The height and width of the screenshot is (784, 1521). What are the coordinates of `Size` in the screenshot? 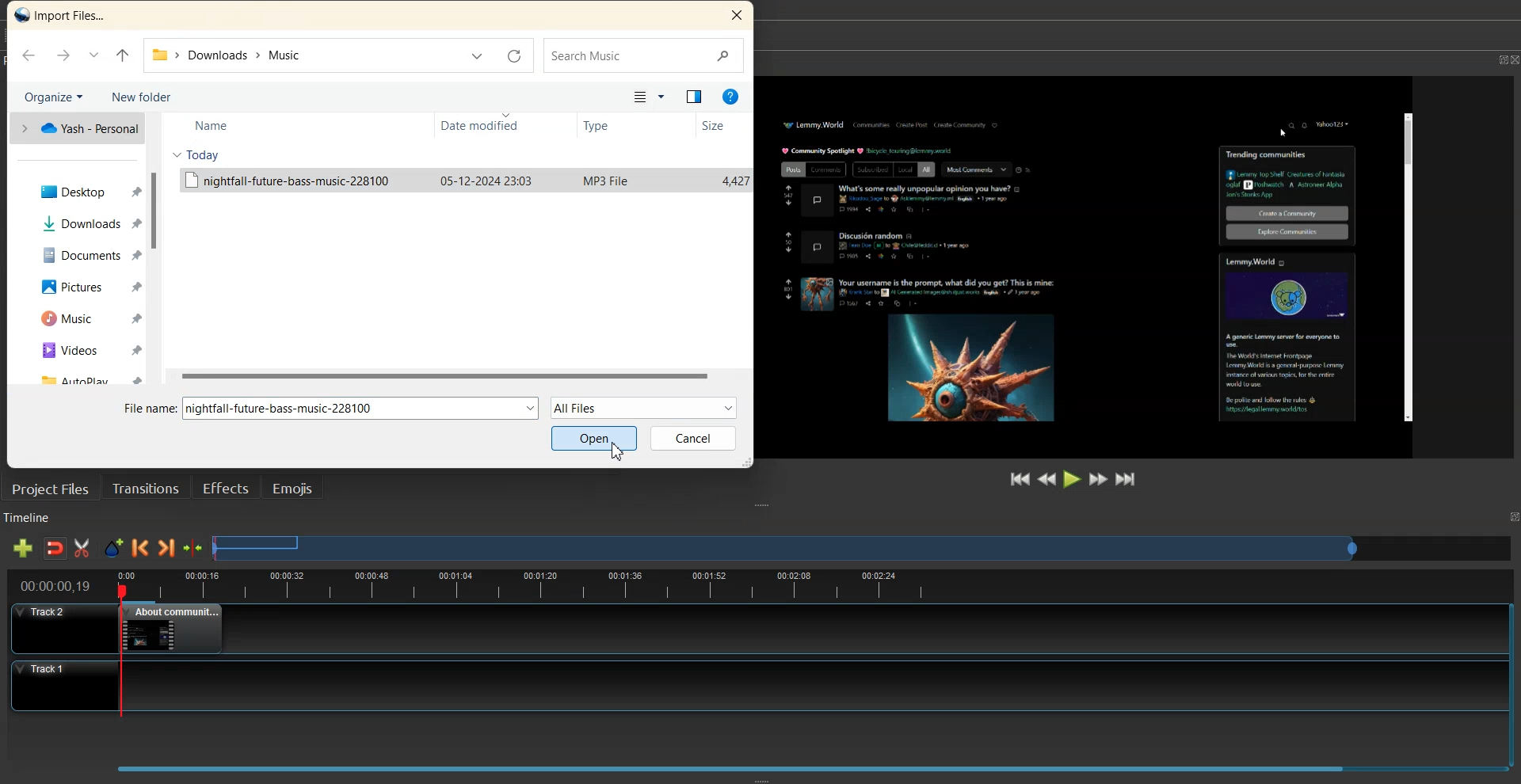 It's located at (725, 124).